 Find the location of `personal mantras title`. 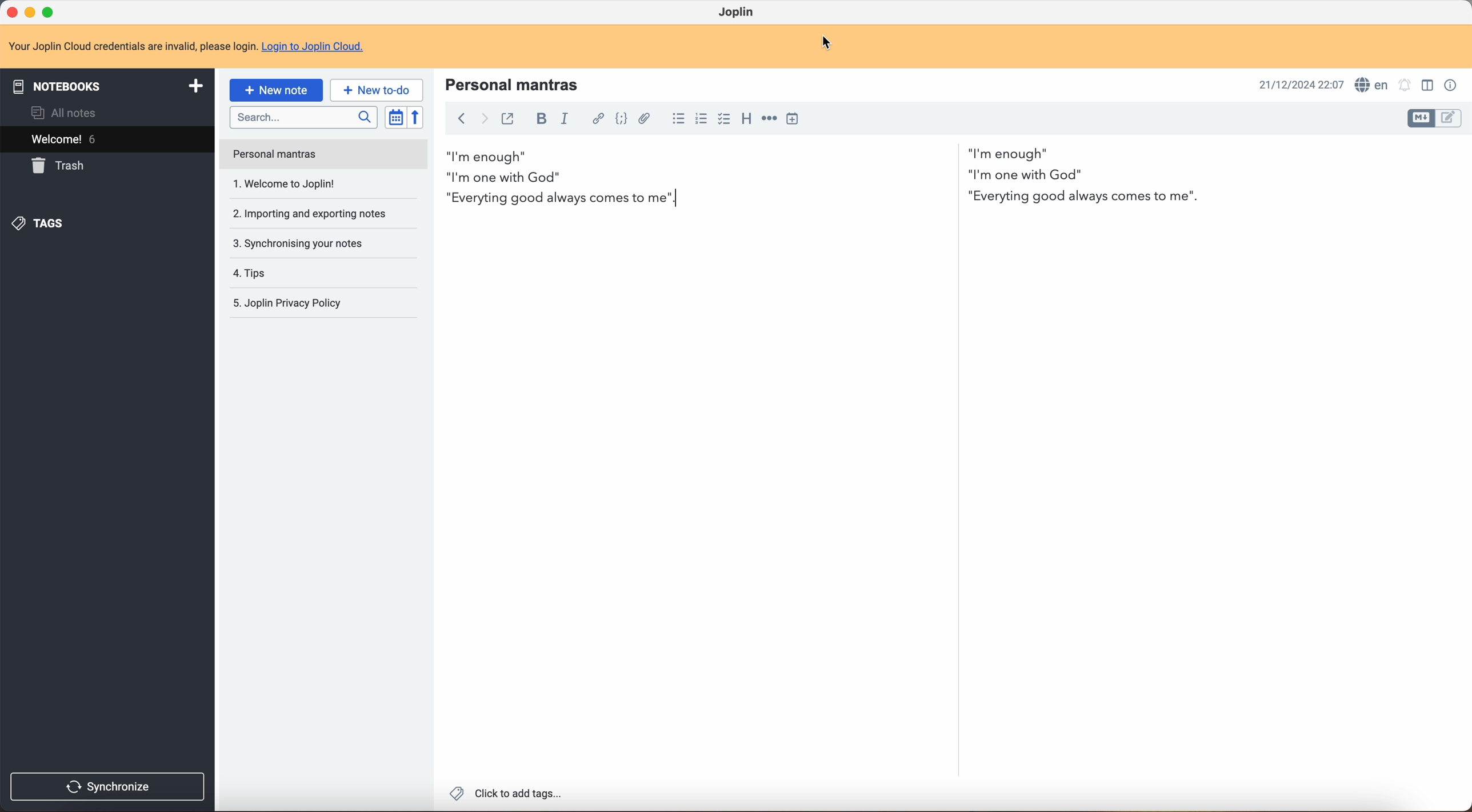

personal mantras title is located at coordinates (516, 83).